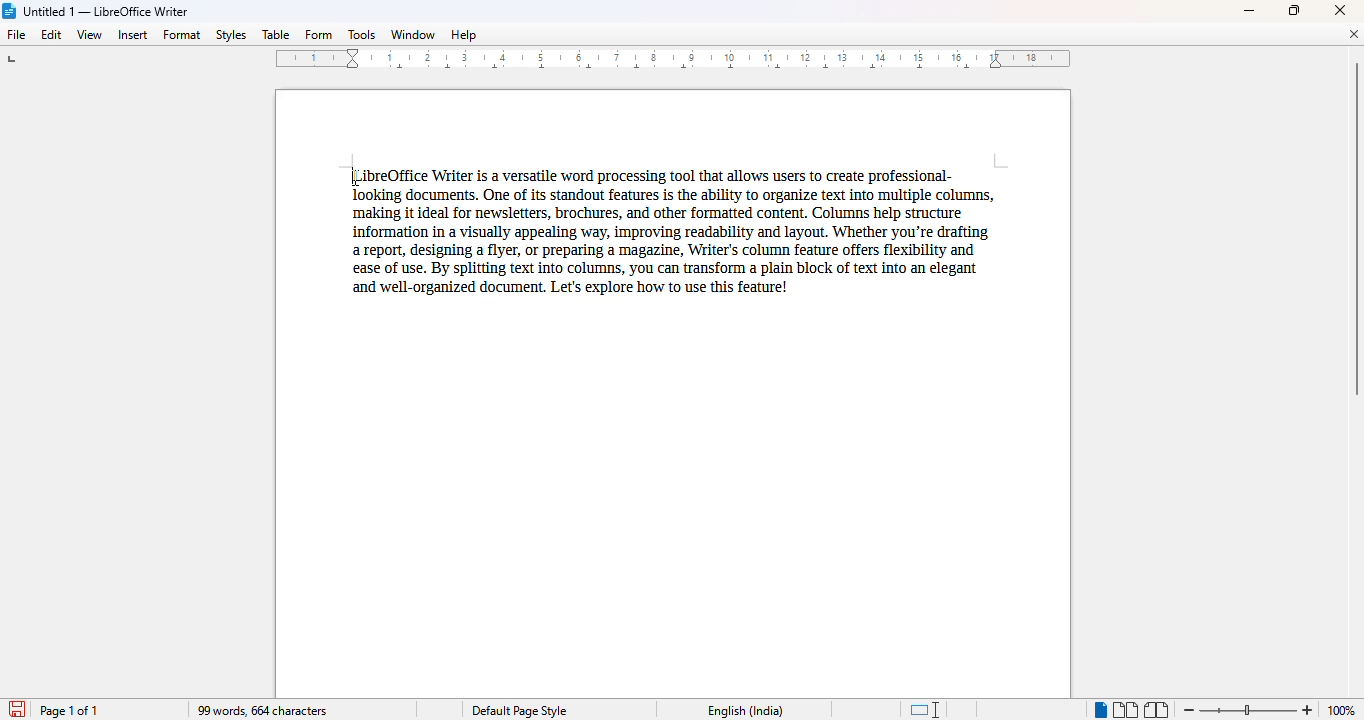 This screenshot has width=1364, height=720. What do you see at coordinates (318, 35) in the screenshot?
I see `form` at bounding box center [318, 35].